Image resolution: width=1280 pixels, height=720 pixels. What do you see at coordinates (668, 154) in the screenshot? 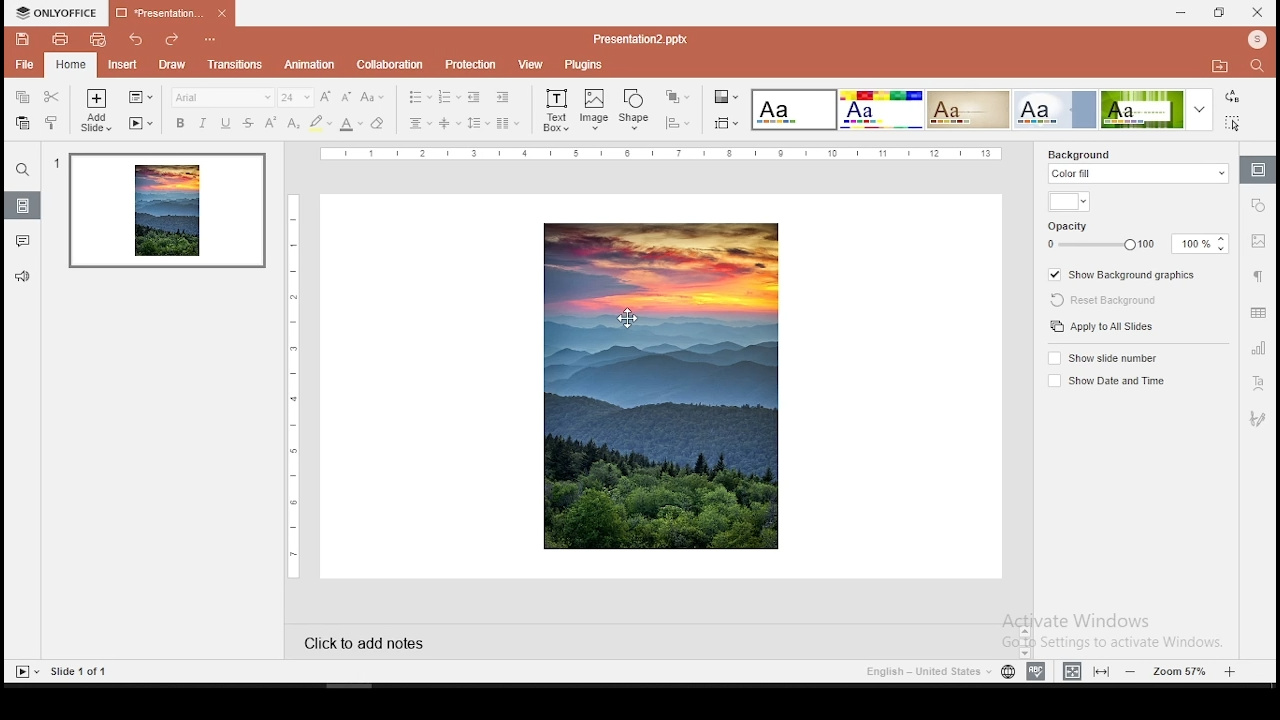
I see `horizontal scale` at bounding box center [668, 154].